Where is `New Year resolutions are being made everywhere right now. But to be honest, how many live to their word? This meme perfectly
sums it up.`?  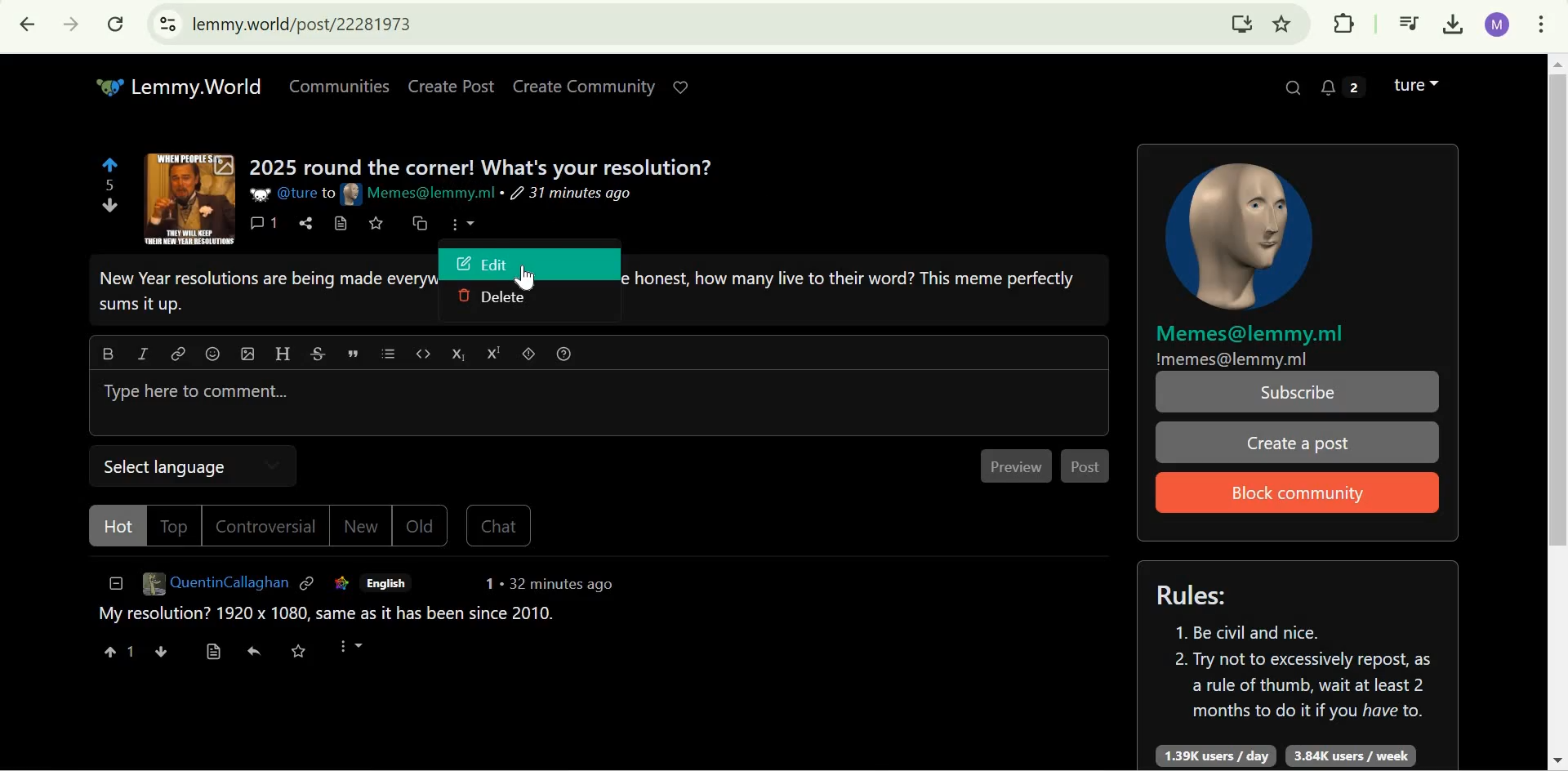
New Year resolutions are being made everywhere right now. But to be honest, how many live to their word? This meme perfectly
sums it up. is located at coordinates (262, 292).